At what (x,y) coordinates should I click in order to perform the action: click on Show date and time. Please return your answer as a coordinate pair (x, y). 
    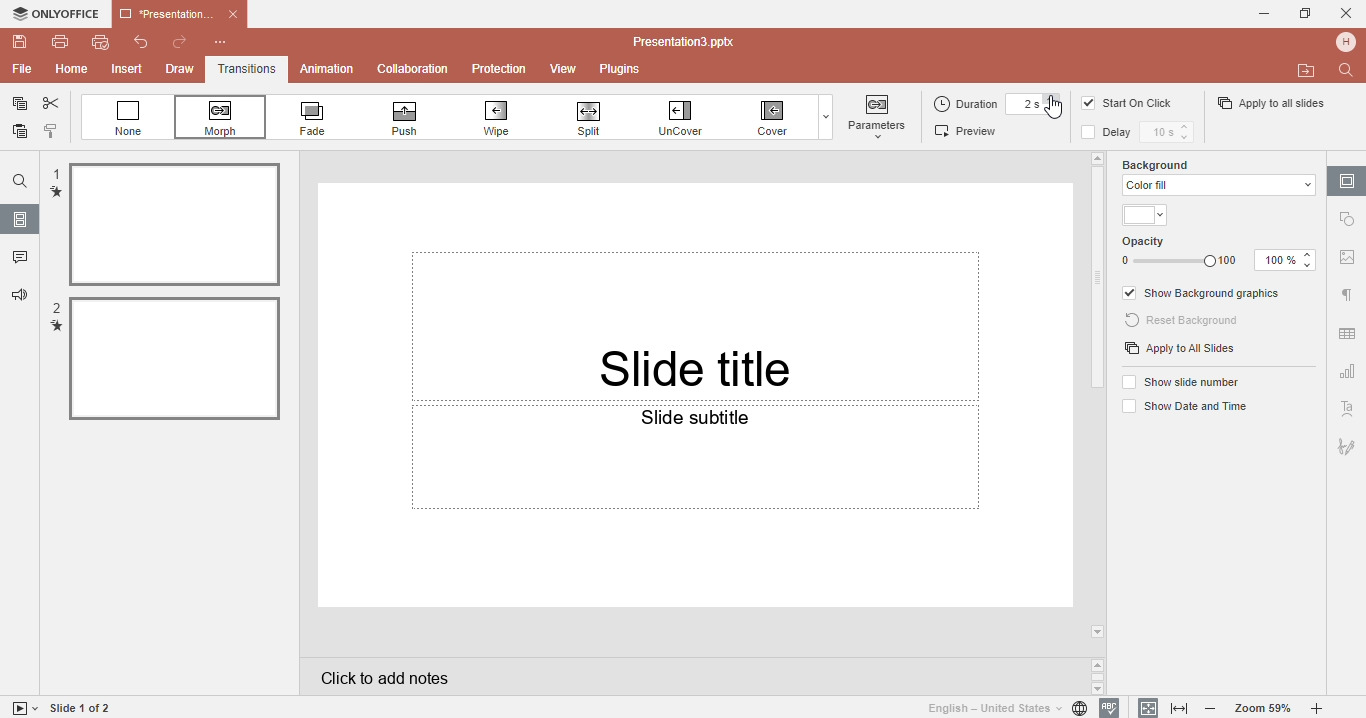
    Looking at the image, I should click on (1182, 408).